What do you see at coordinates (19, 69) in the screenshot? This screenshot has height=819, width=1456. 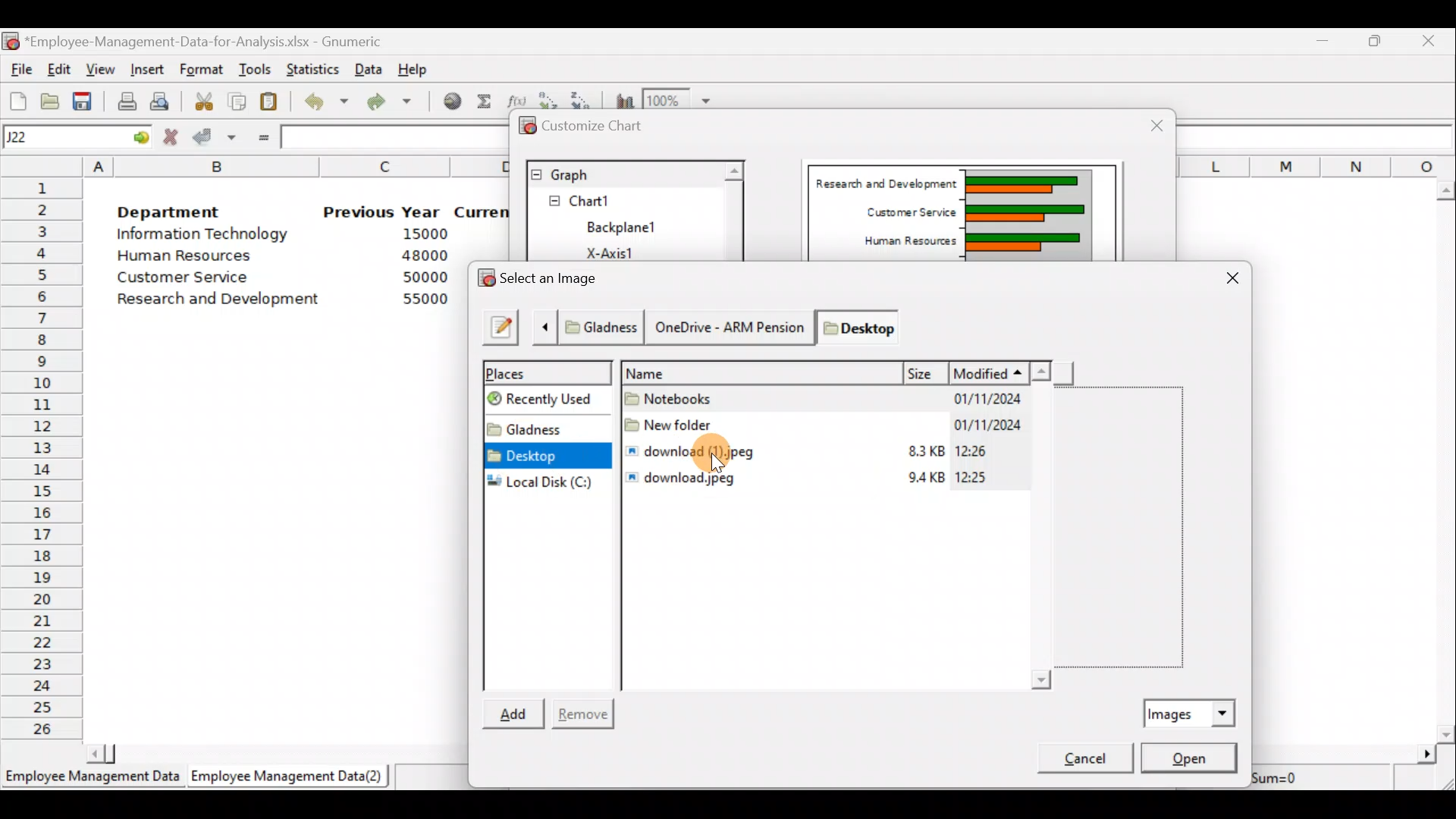 I see `File` at bounding box center [19, 69].